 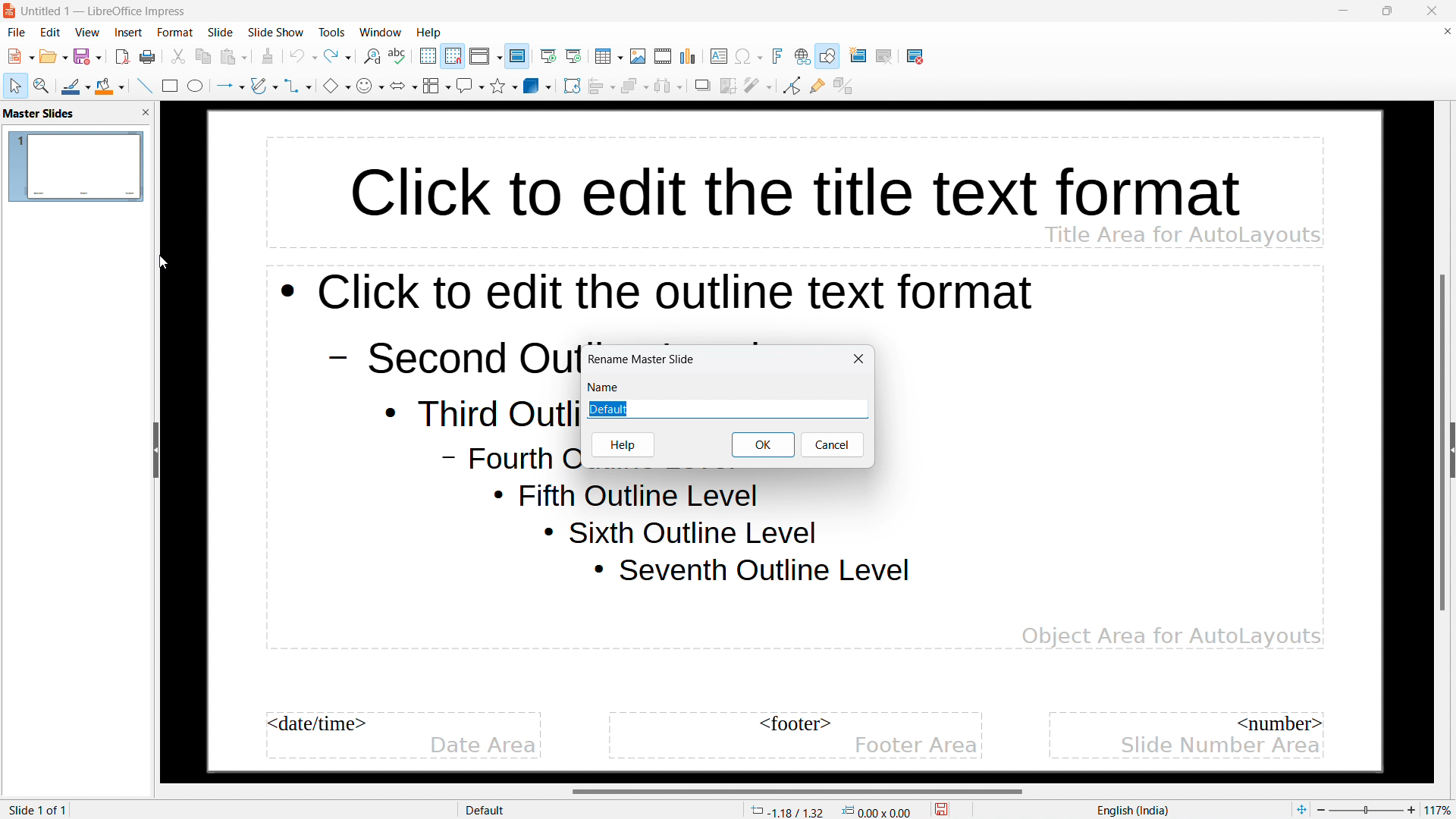 What do you see at coordinates (703, 85) in the screenshot?
I see `shadow` at bounding box center [703, 85].